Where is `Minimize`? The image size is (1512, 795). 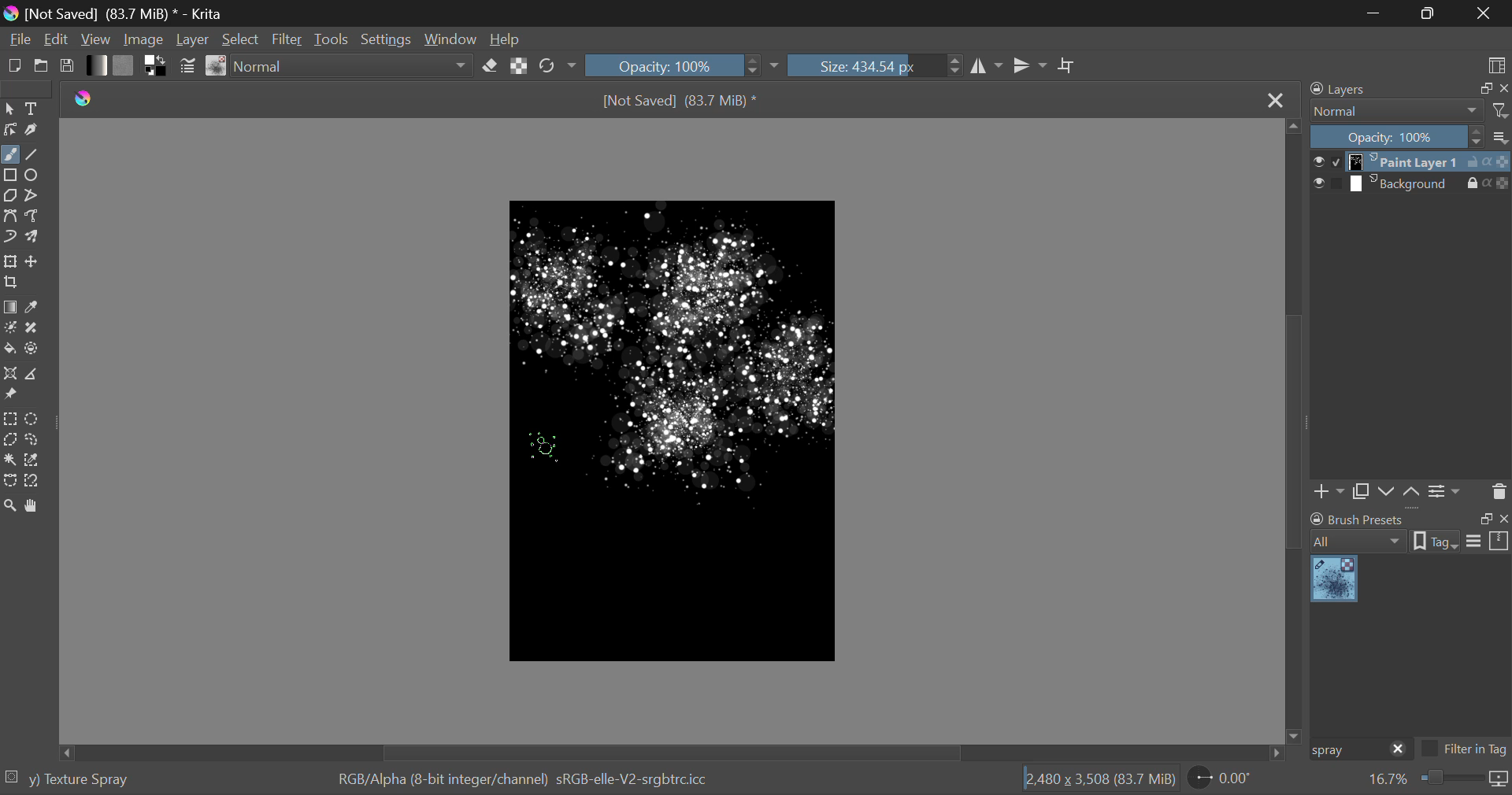
Minimize is located at coordinates (1431, 12).